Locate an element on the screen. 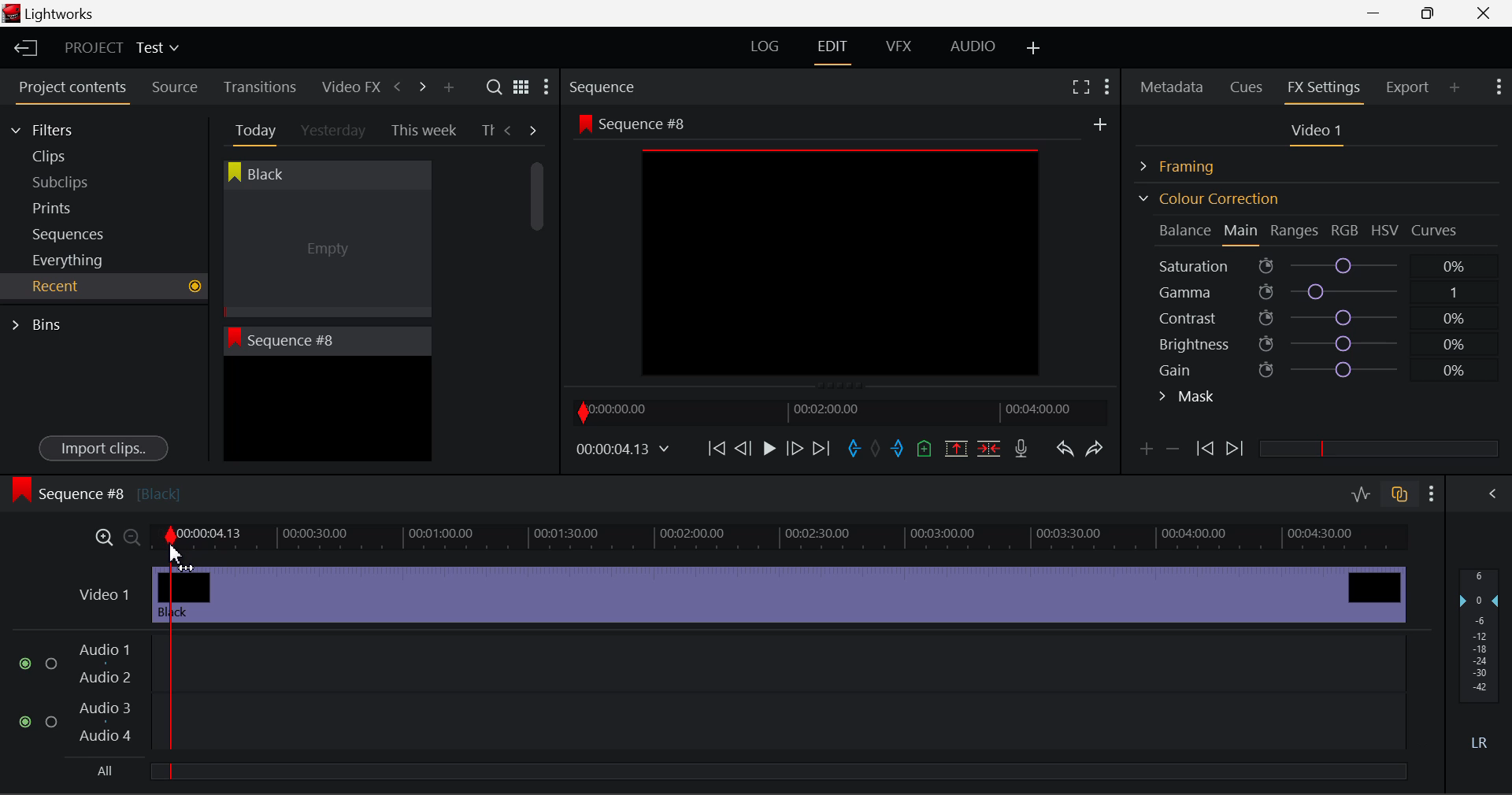 This screenshot has height=795, width=1512. All is located at coordinates (102, 771).